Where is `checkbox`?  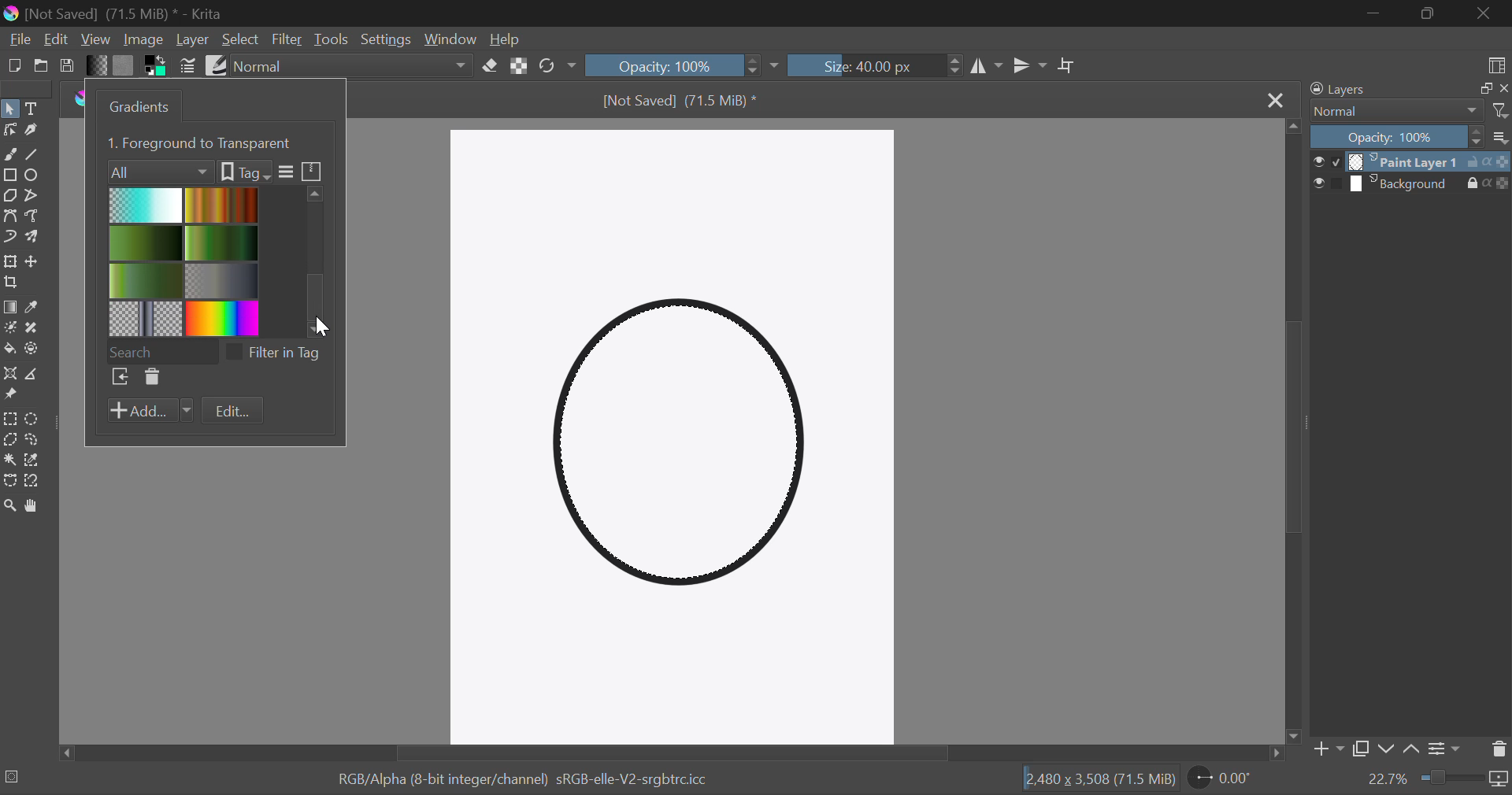
checkbox is located at coordinates (1329, 183).